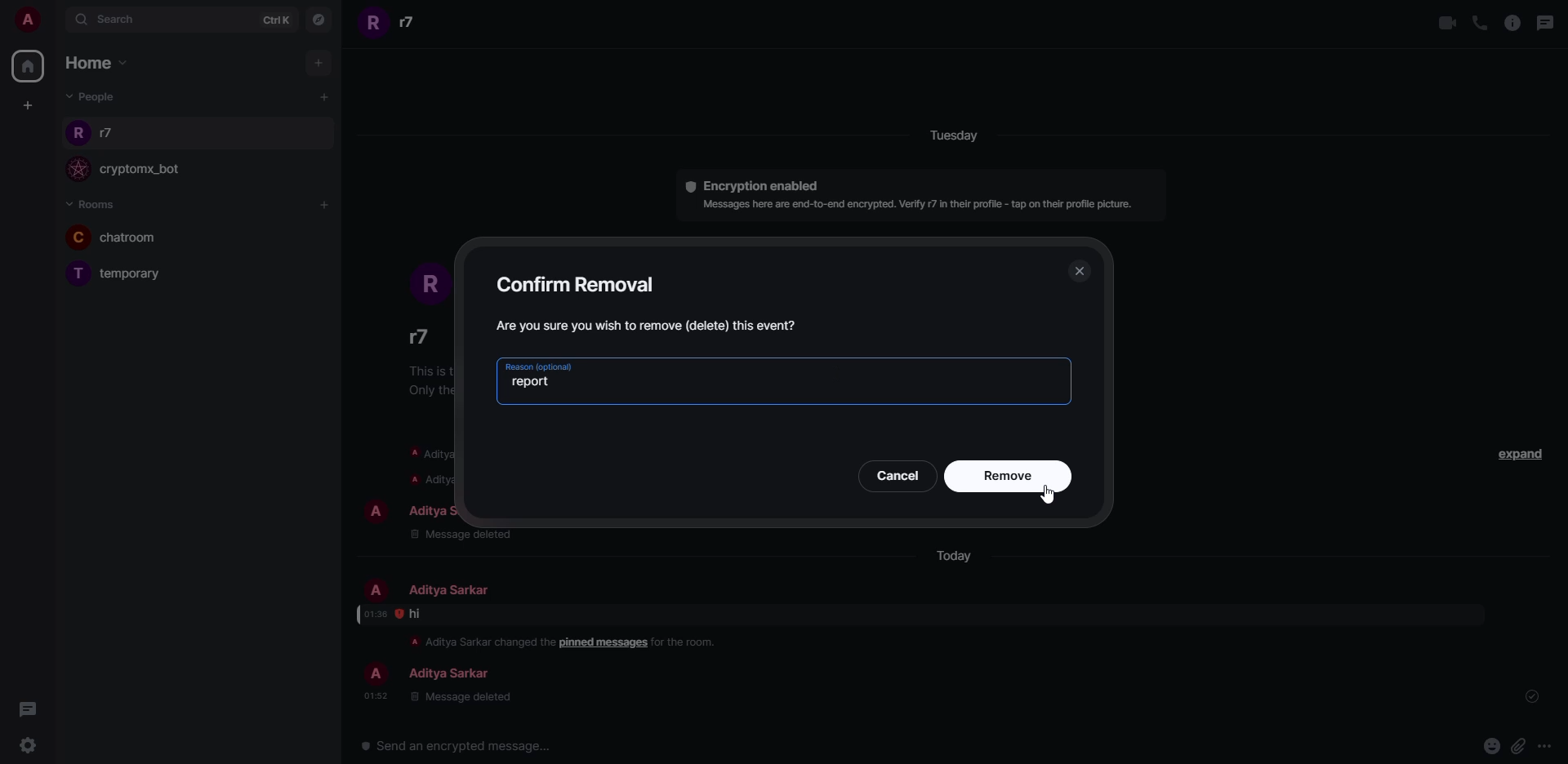 The width and height of the screenshot is (1568, 764). I want to click on add, so click(323, 95).